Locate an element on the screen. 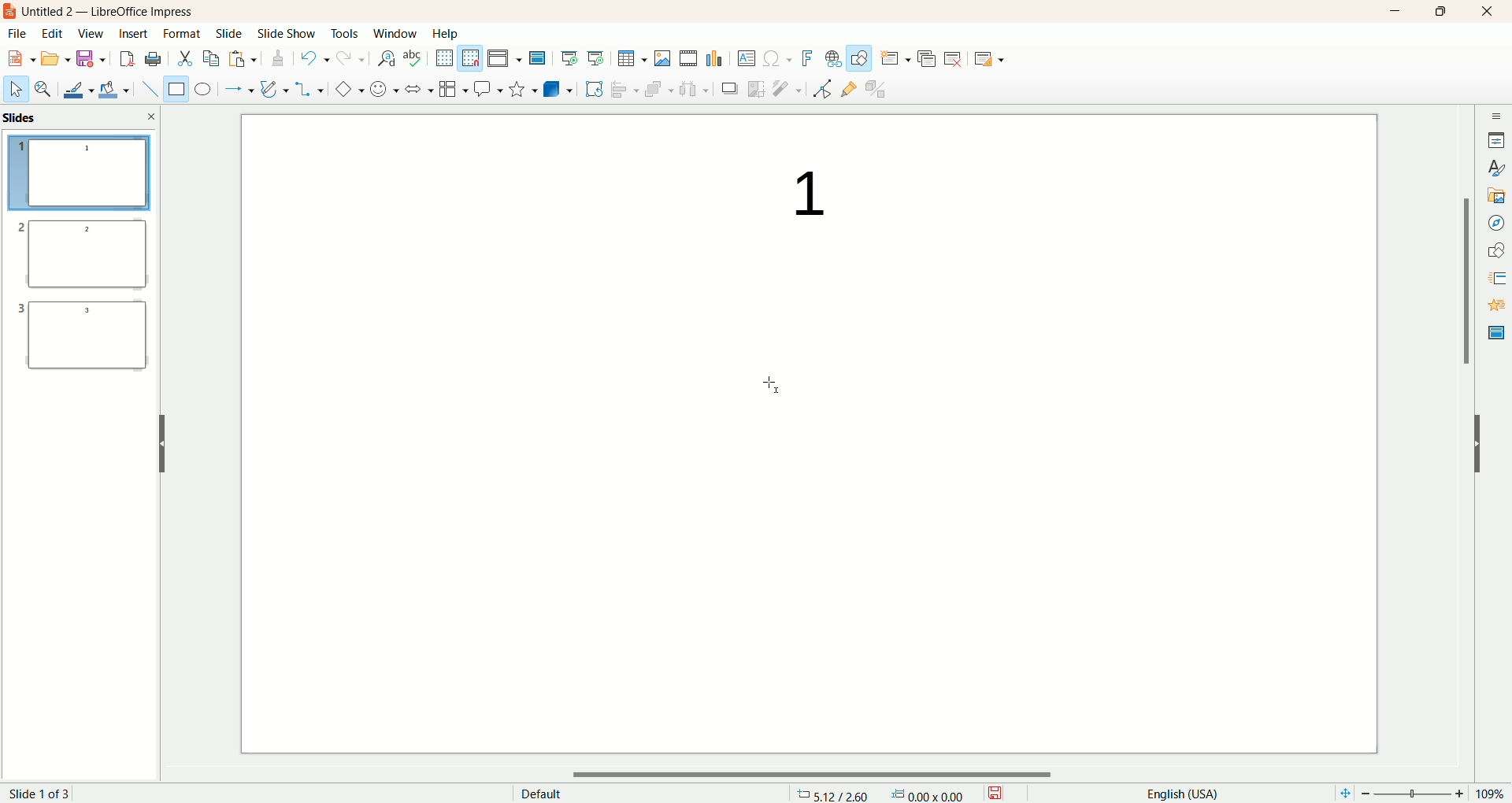 This screenshot has height=803, width=1512. master slide is located at coordinates (539, 58).